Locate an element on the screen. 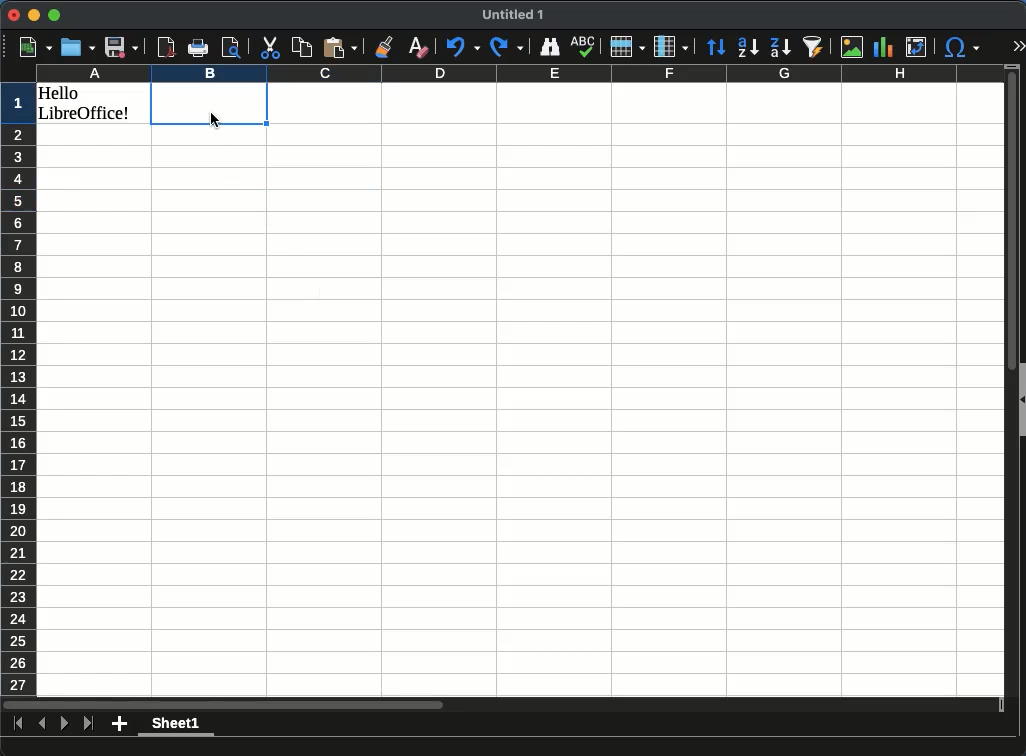 The height and width of the screenshot is (756, 1026). scroll is located at coordinates (1005, 381).